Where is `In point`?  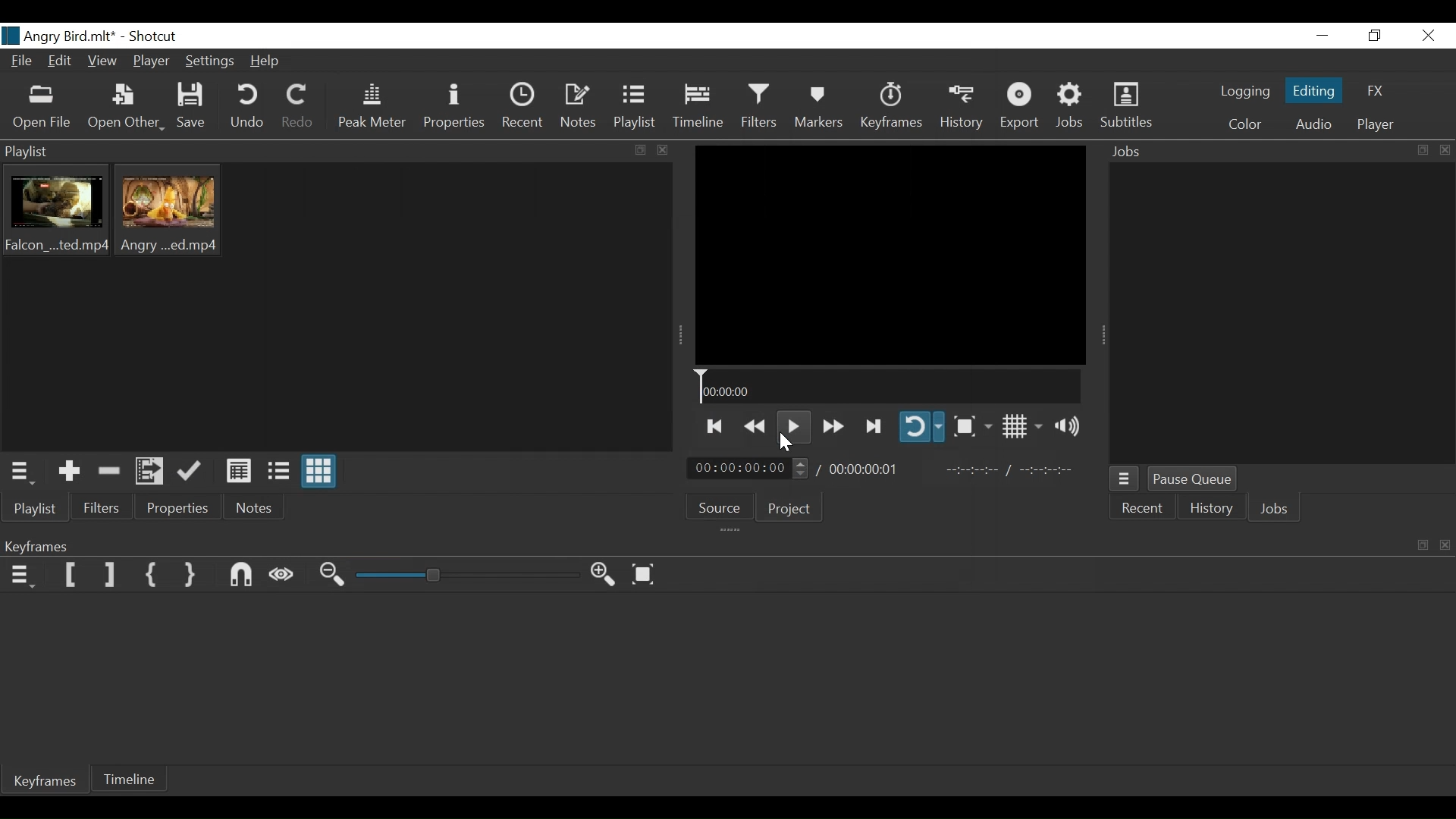 In point is located at coordinates (1012, 469).